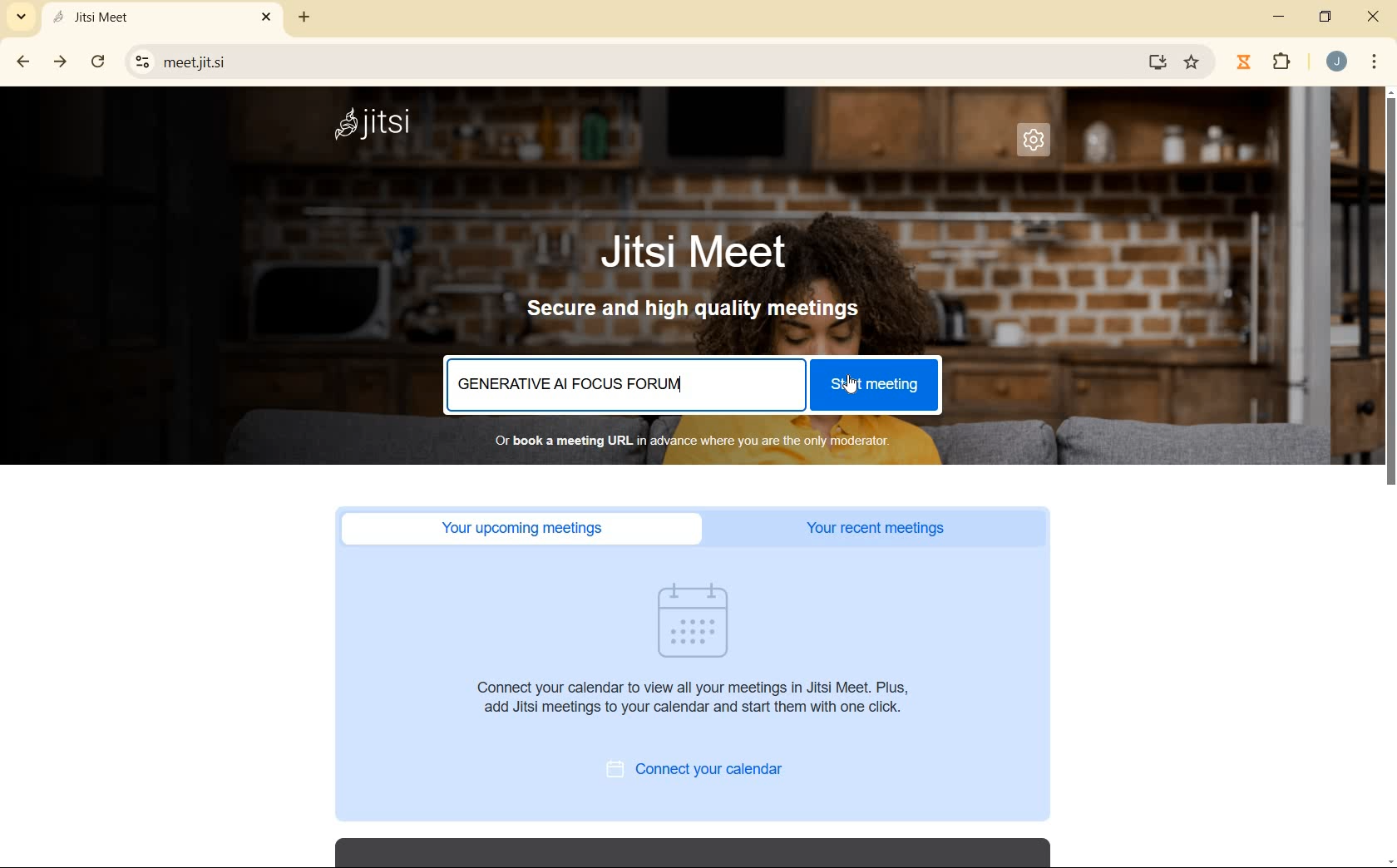 This screenshot has width=1397, height=868. Describe the element at coordinates (706, 770) in the screenshot. I see `connect your calendar` at that location.